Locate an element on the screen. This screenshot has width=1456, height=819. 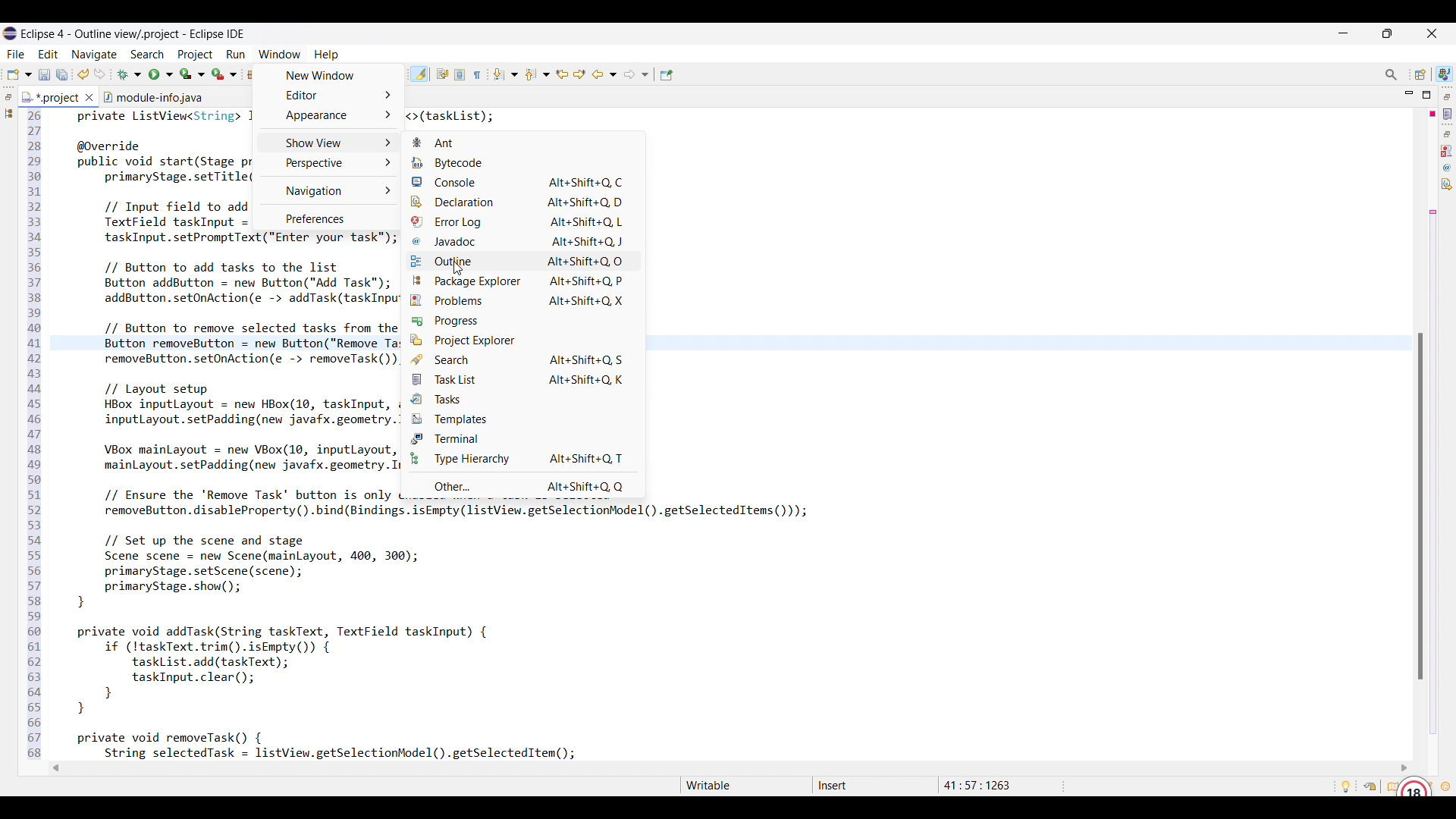
Type hierarchy is located at coordinates (522, 458).